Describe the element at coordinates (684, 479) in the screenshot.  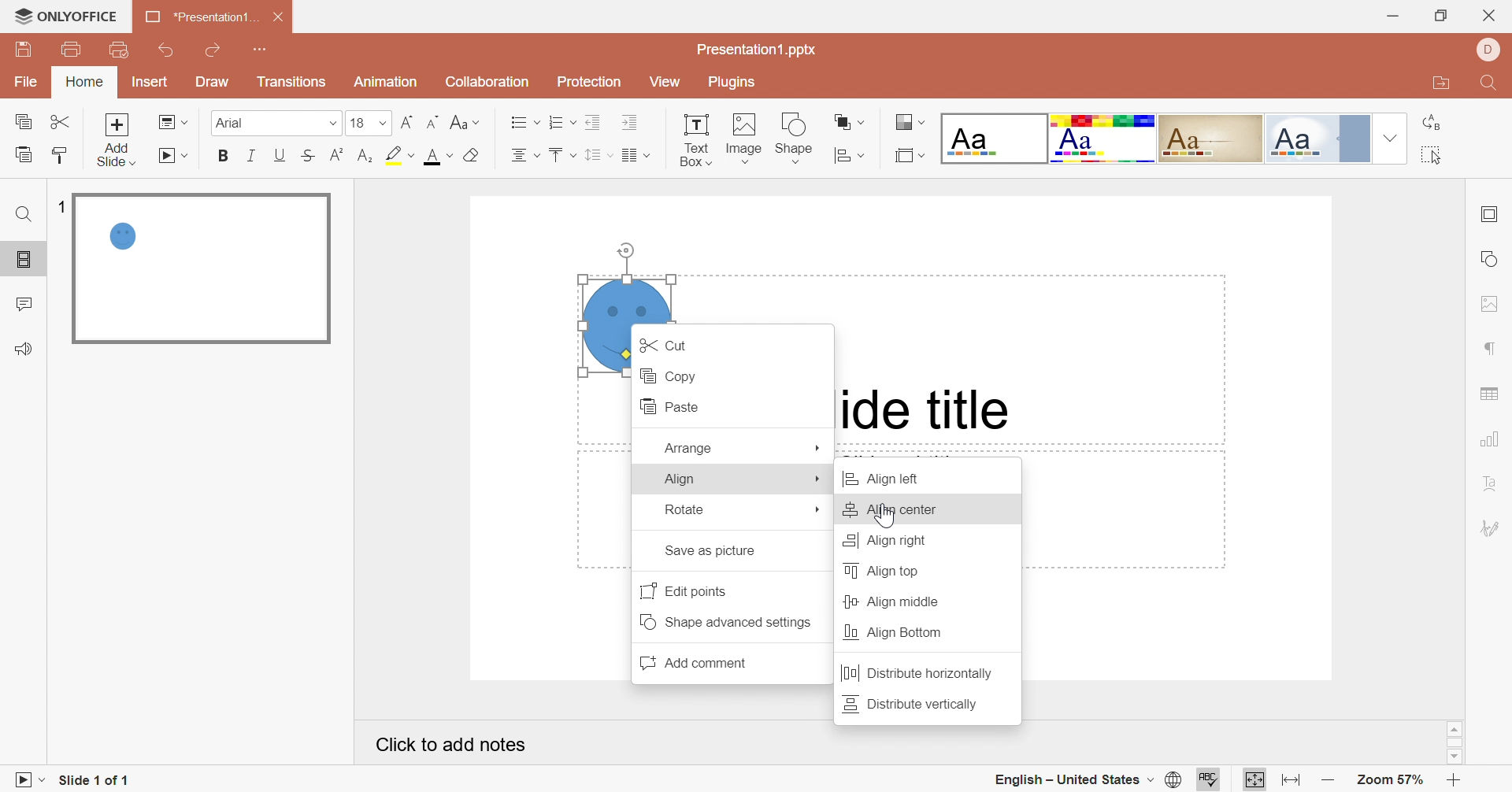
I see `Align` at that location.